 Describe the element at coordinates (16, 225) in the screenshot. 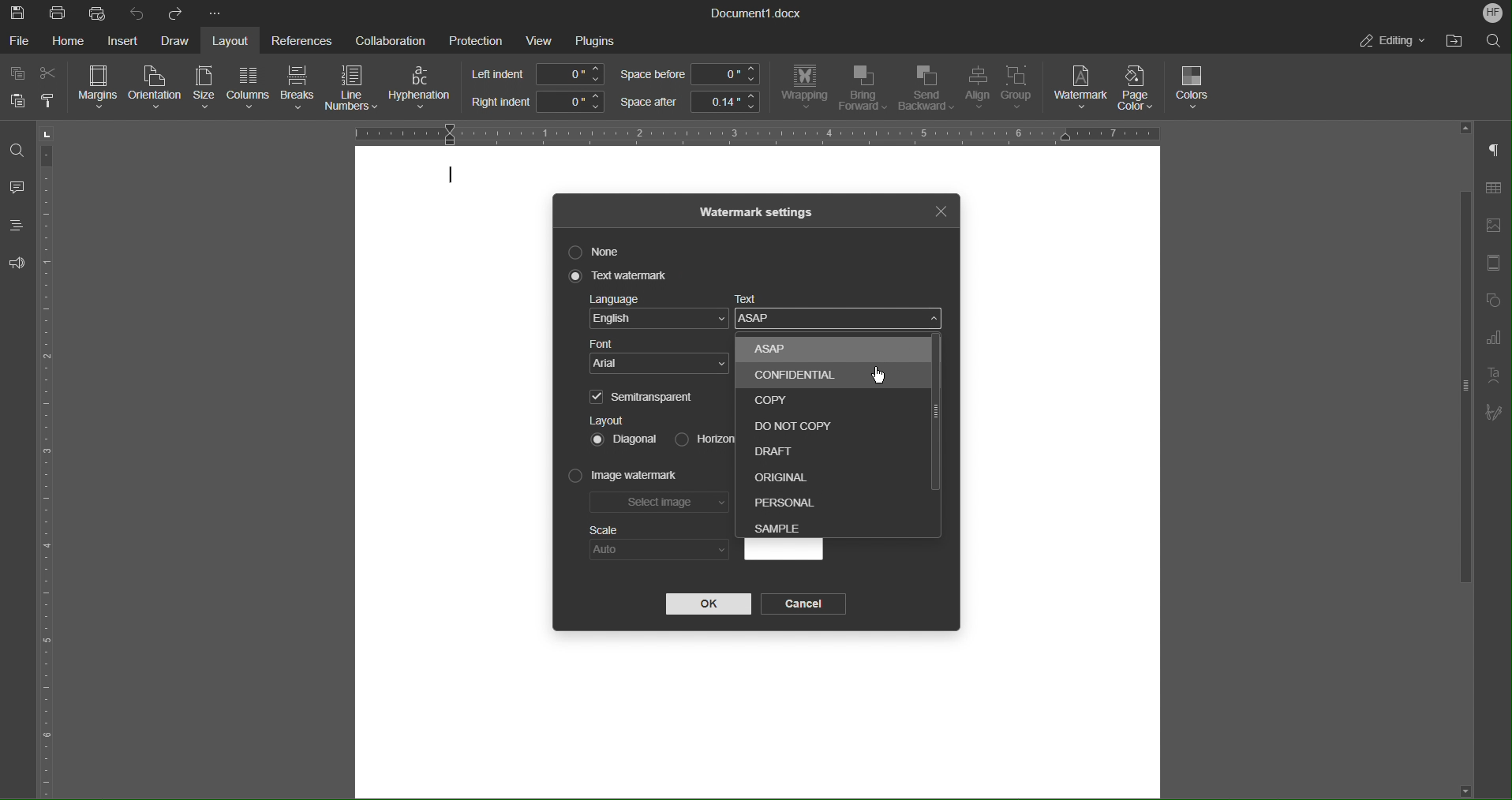

I see `Headings` at that location.